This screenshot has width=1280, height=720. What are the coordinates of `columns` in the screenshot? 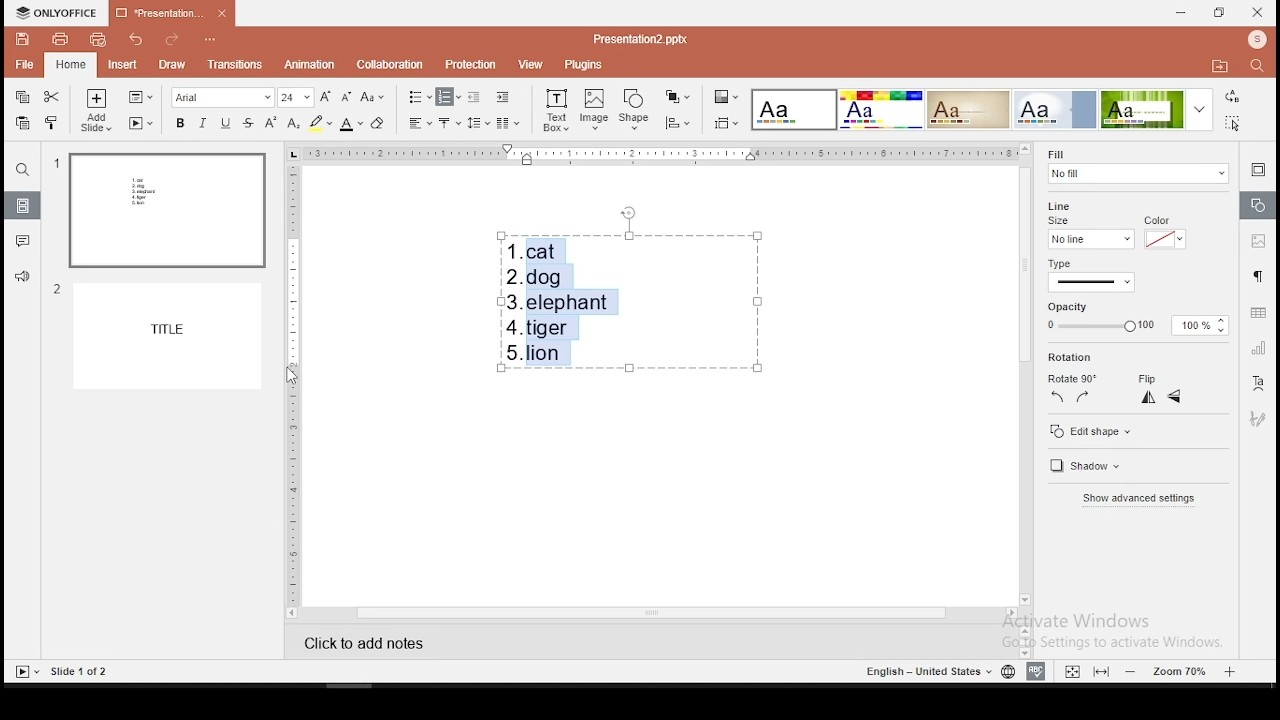 It's located at (506, 122).